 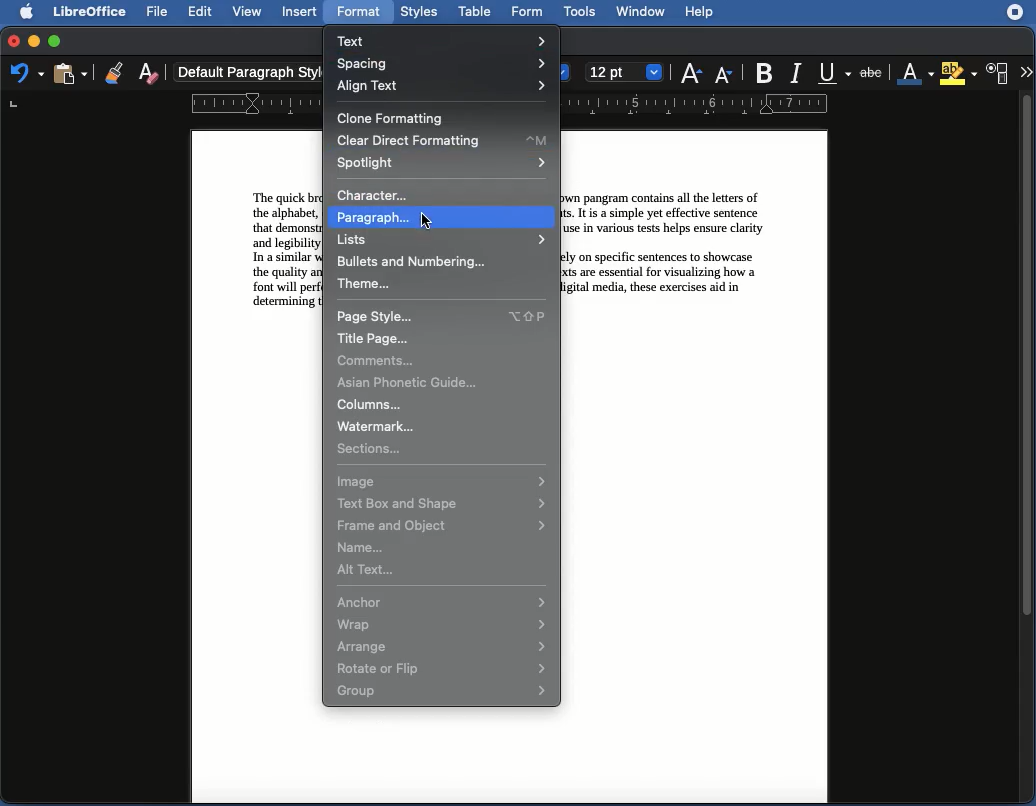 What do you see at coordinates (442, 218) in the screenshot?
I see `Paragraph` at bounding box center [442, 218].